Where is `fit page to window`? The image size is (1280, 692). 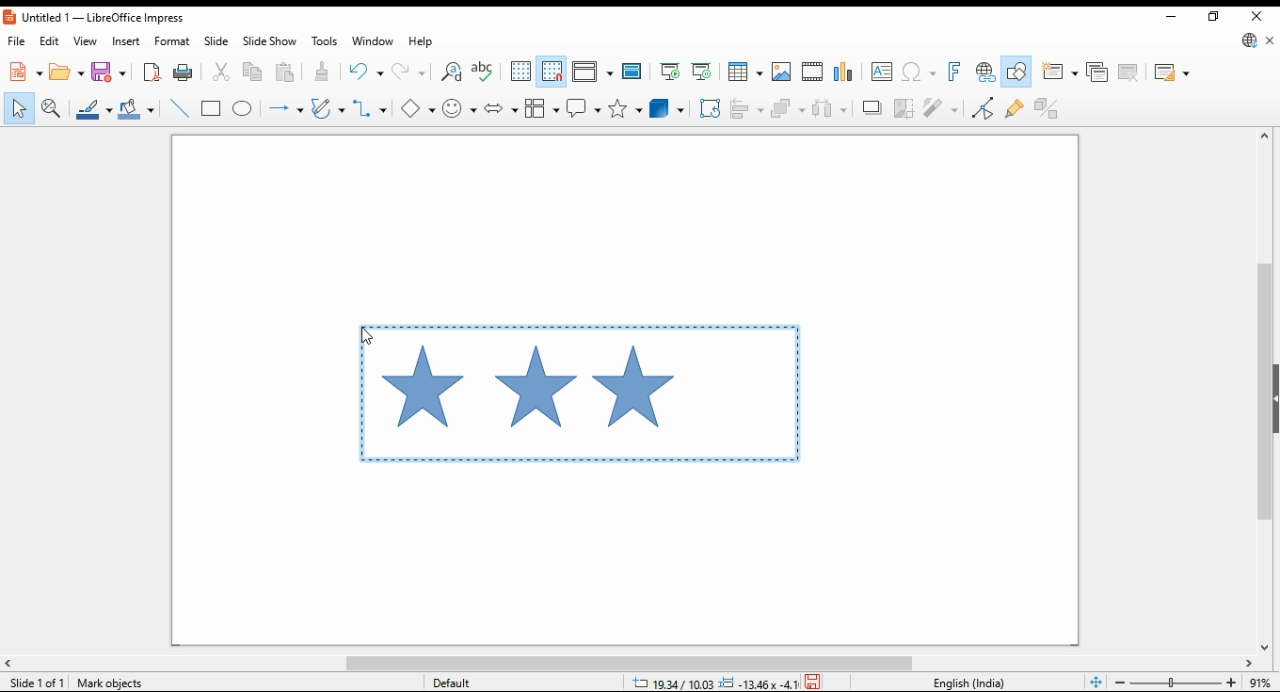
fit page to window is located at coordinates (1097, 681).